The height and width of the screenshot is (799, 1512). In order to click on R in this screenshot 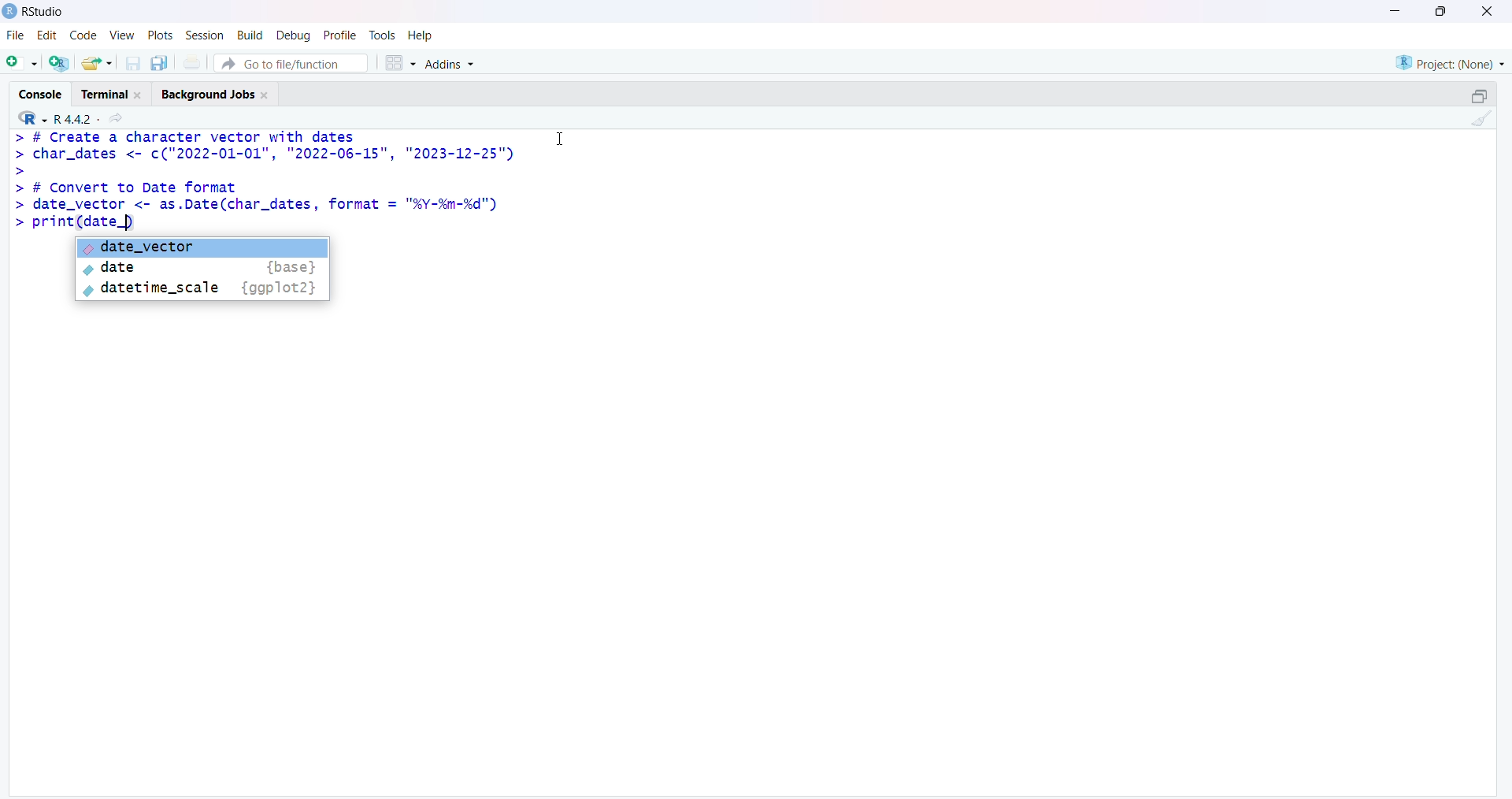, I will do `click(27, 117)`.